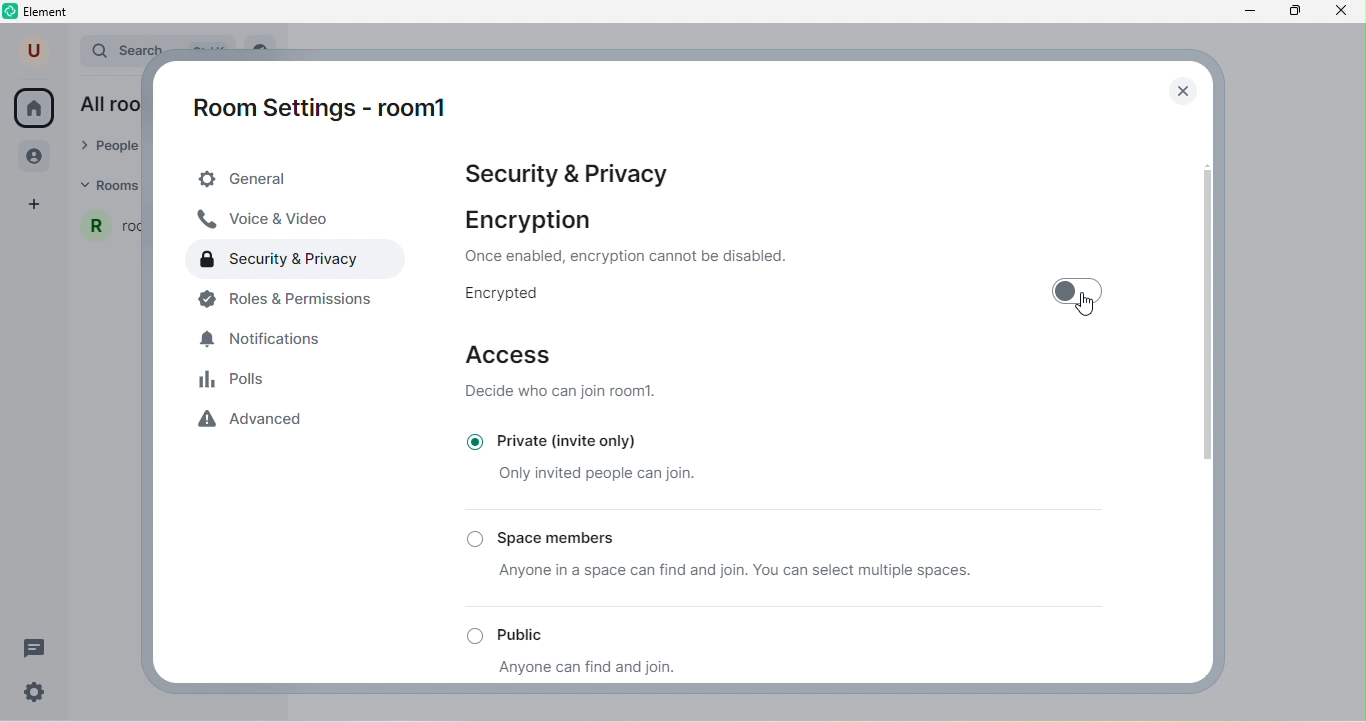 Image resolution: width=1366 pixels, height=722 pixels. Describe the element at coordinates (1298, 13) in the screenshot. I see `maximize` at that location.